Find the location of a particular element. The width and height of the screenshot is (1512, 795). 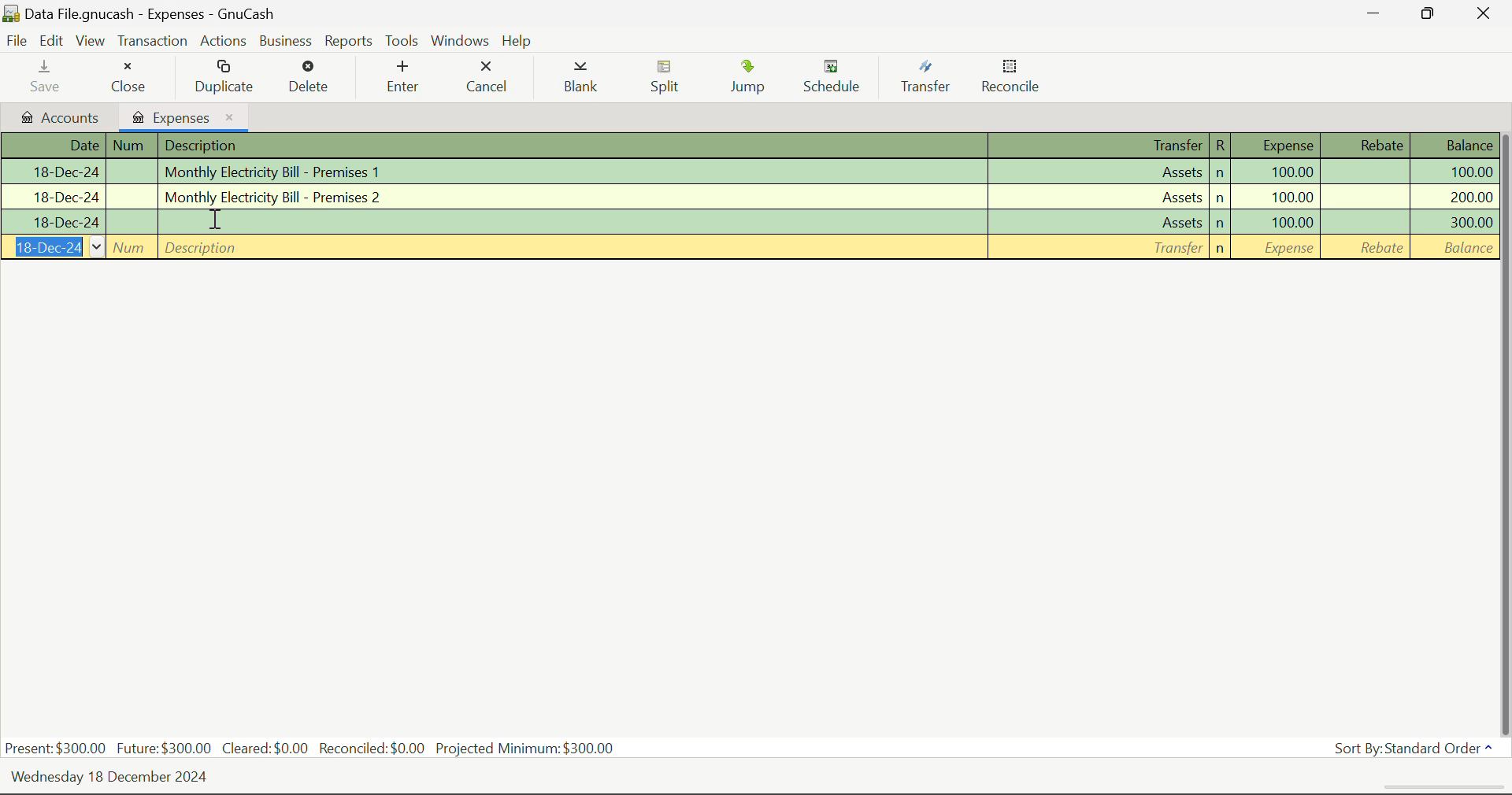

Transfer is located at coordinates (929, 79).